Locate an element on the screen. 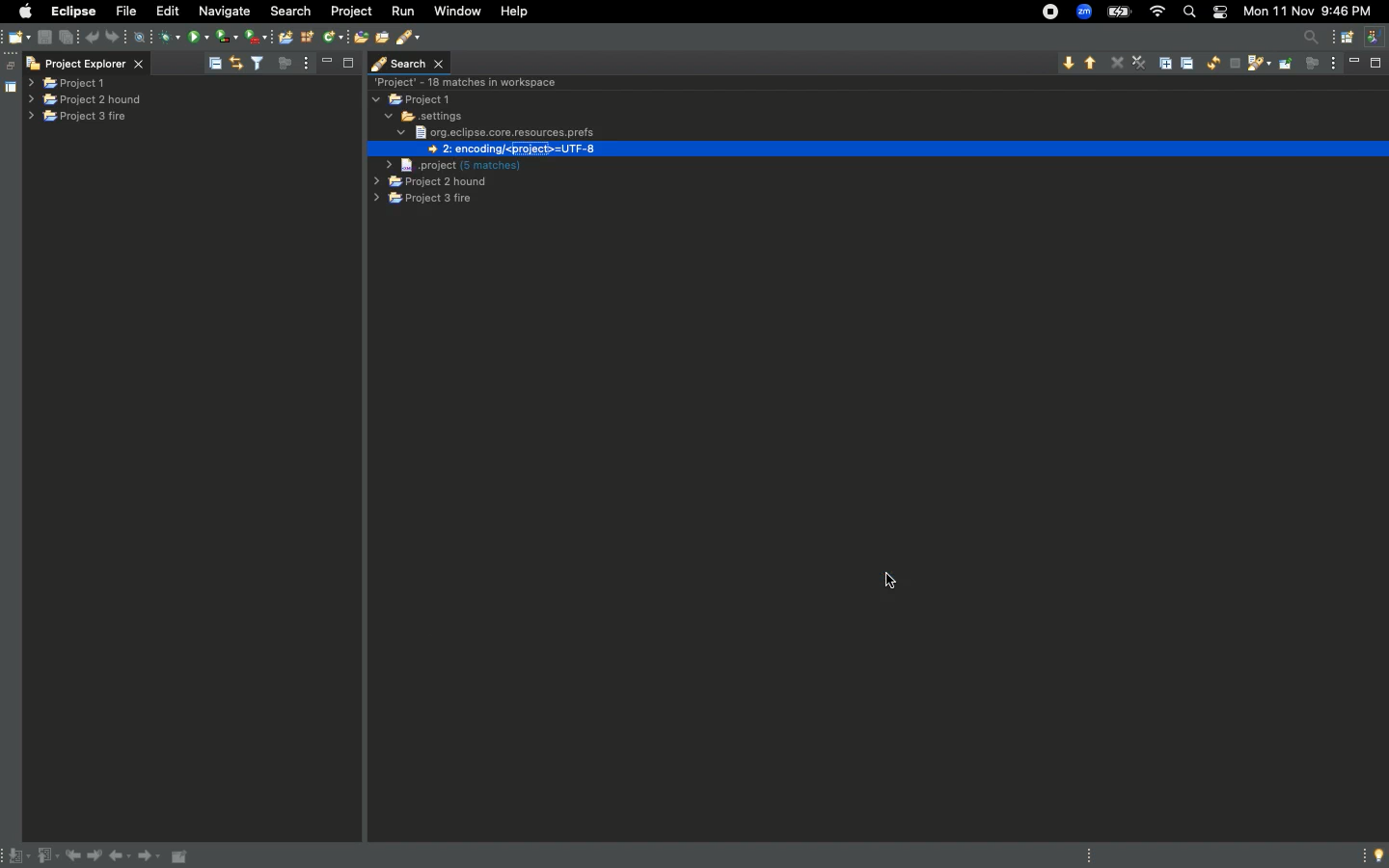  project explorer is located at coordinates (85, 64).